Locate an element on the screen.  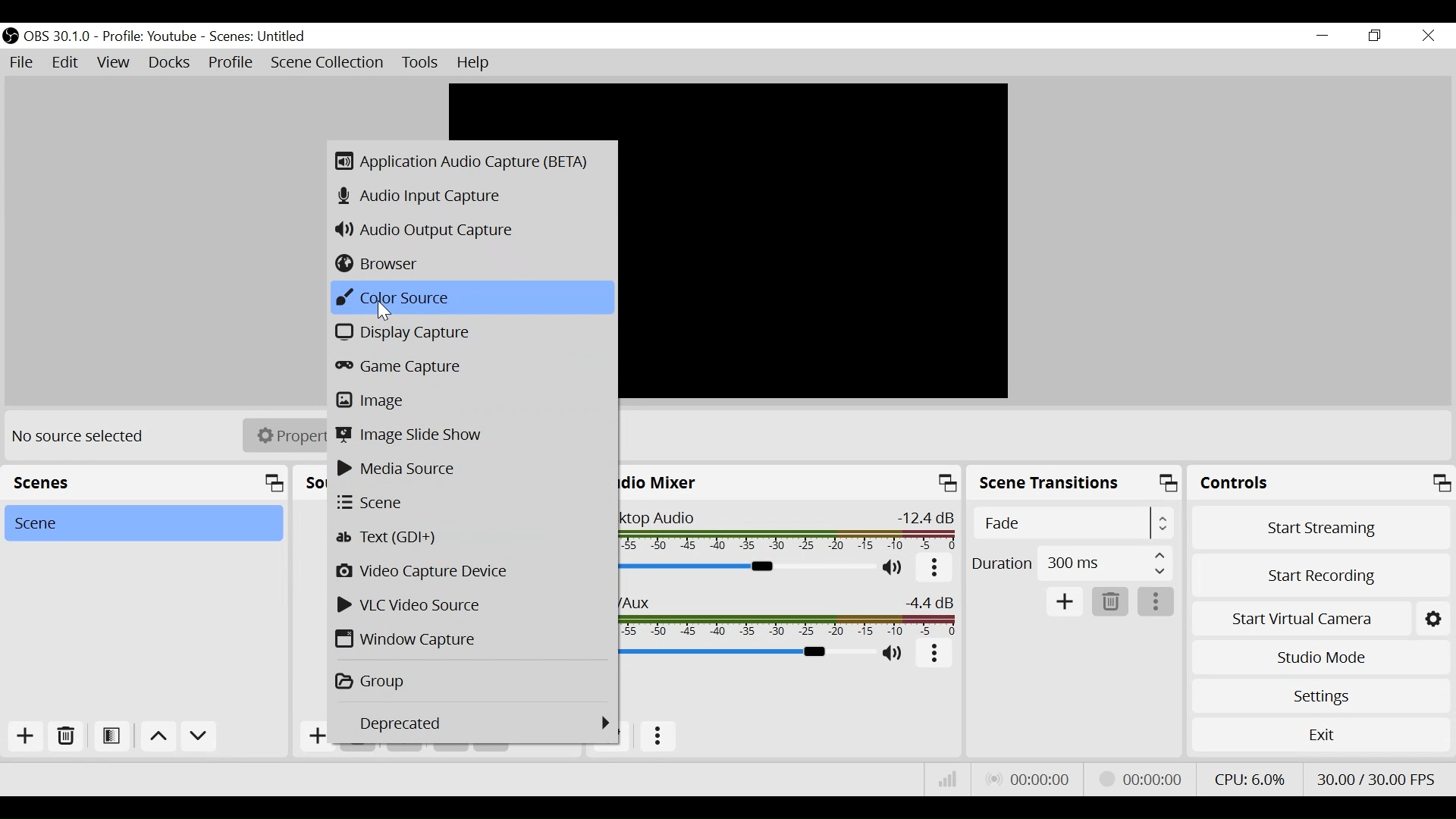
Exit is located at coordinates (1321, 739).